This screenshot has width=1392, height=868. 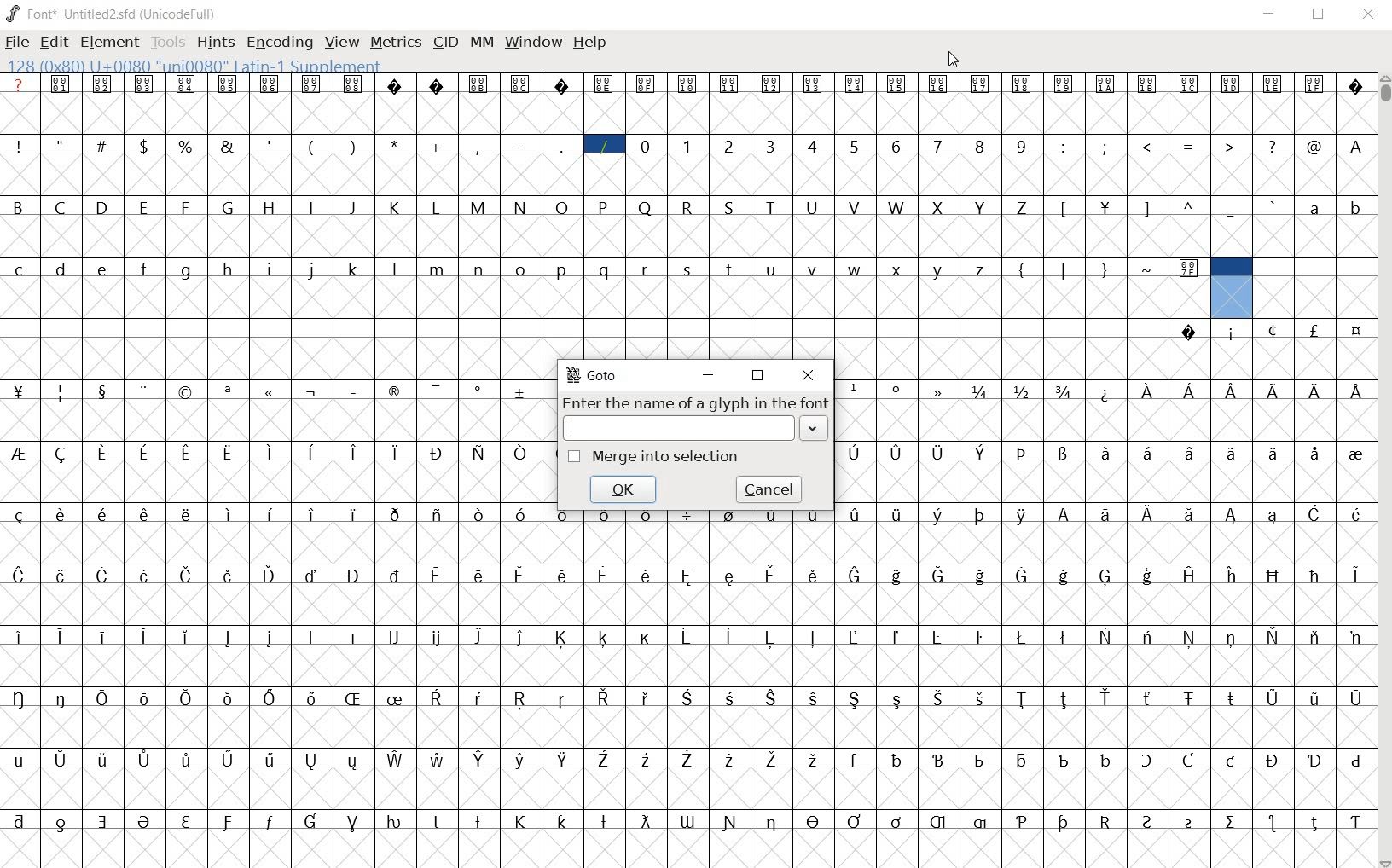 What do you see at coordinates (188, 391) in the screenshot?
I see `Symbol` at bounding box center [188, 391].